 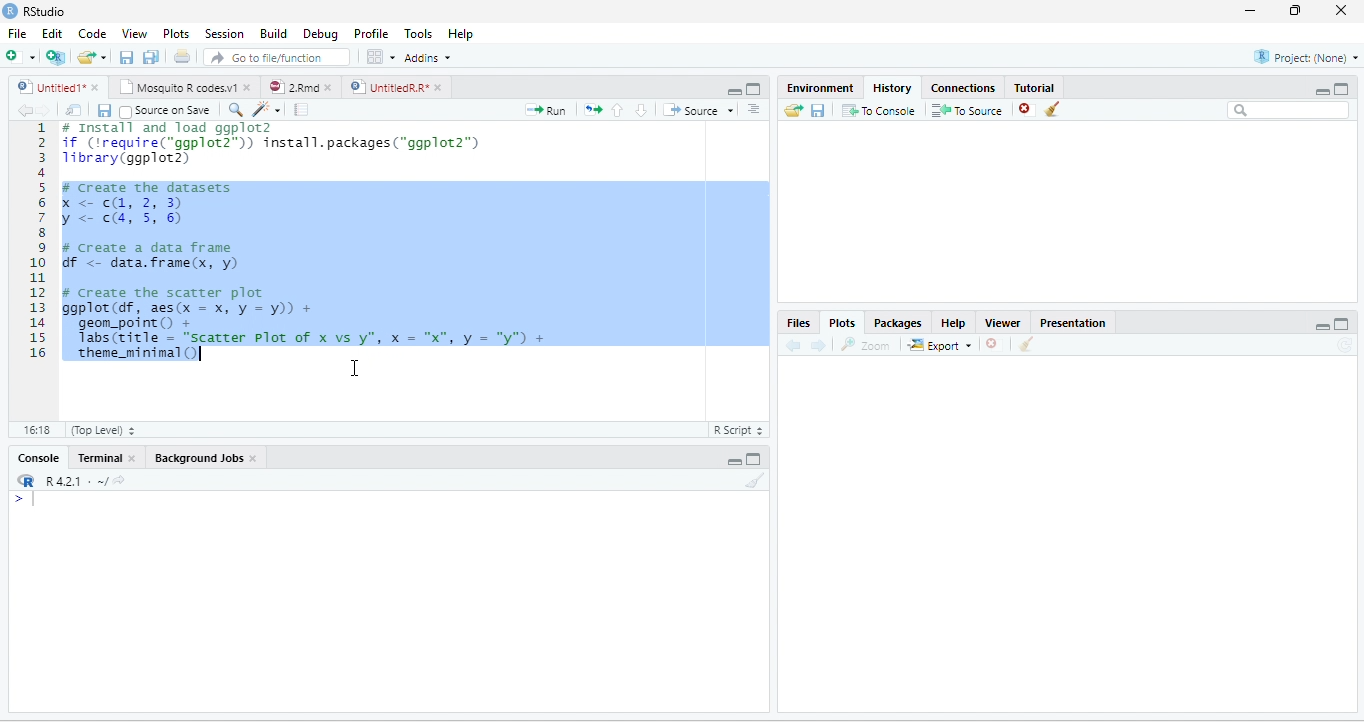 What do you see at coordinates (1288, 111) in the screenshot?
I see `Search bar` at bounding box center [1288, 111].